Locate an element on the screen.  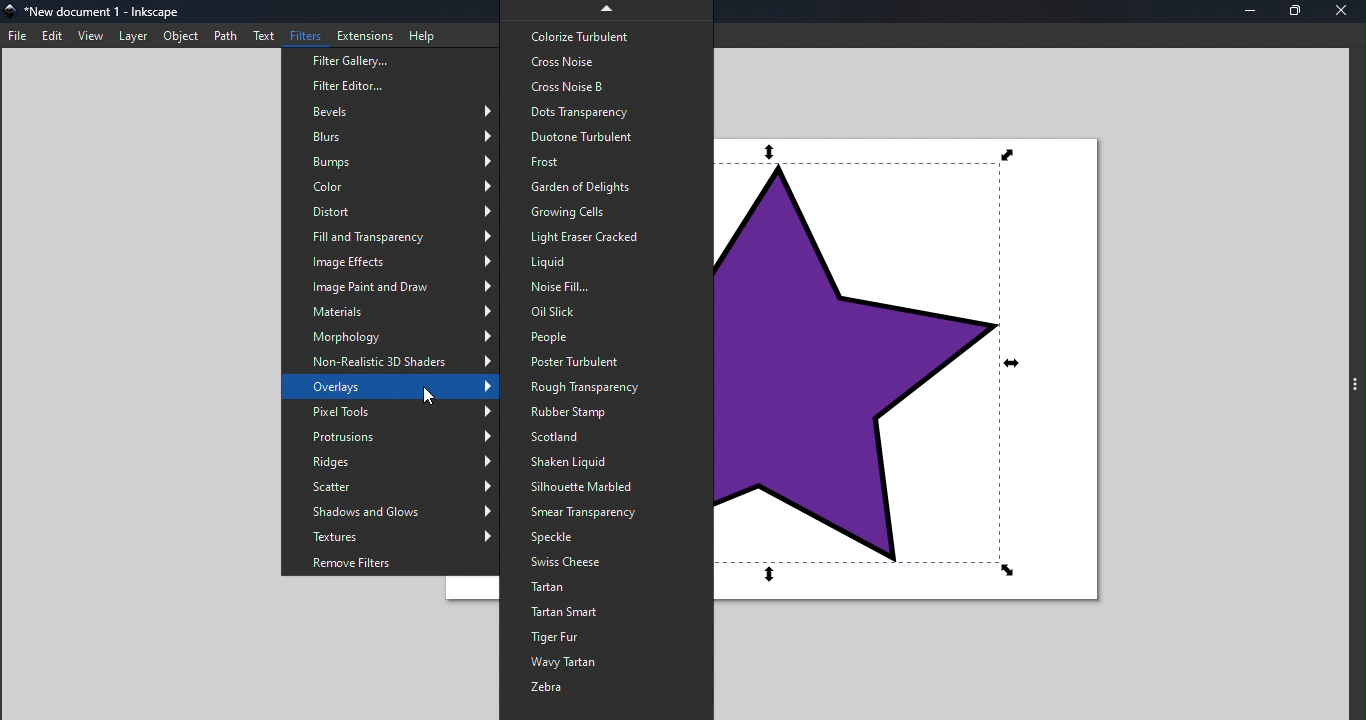
Filter gallery is located at coordinates (388, 62).